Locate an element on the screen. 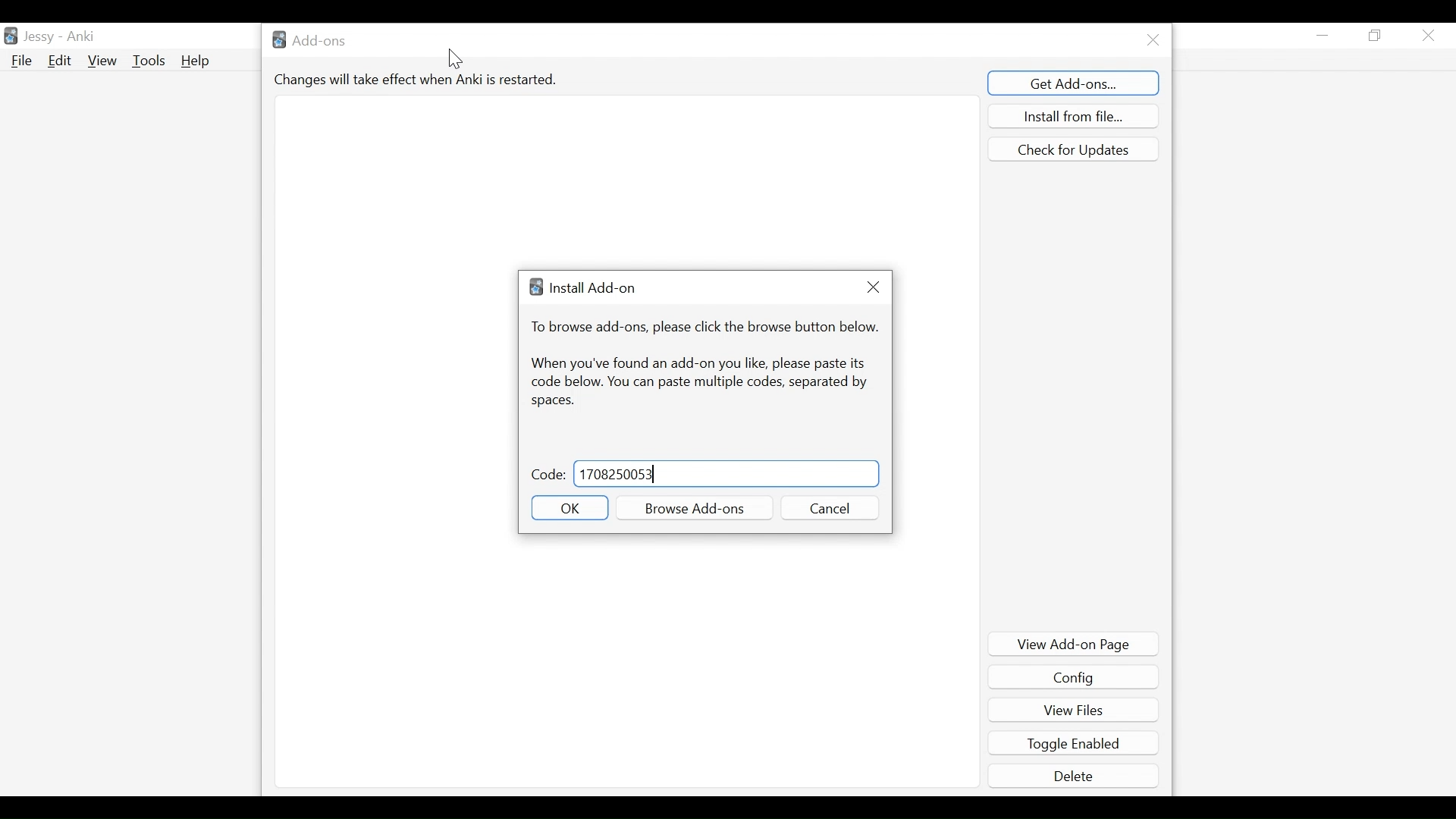  Code Field is located at coordinates (727, 474).